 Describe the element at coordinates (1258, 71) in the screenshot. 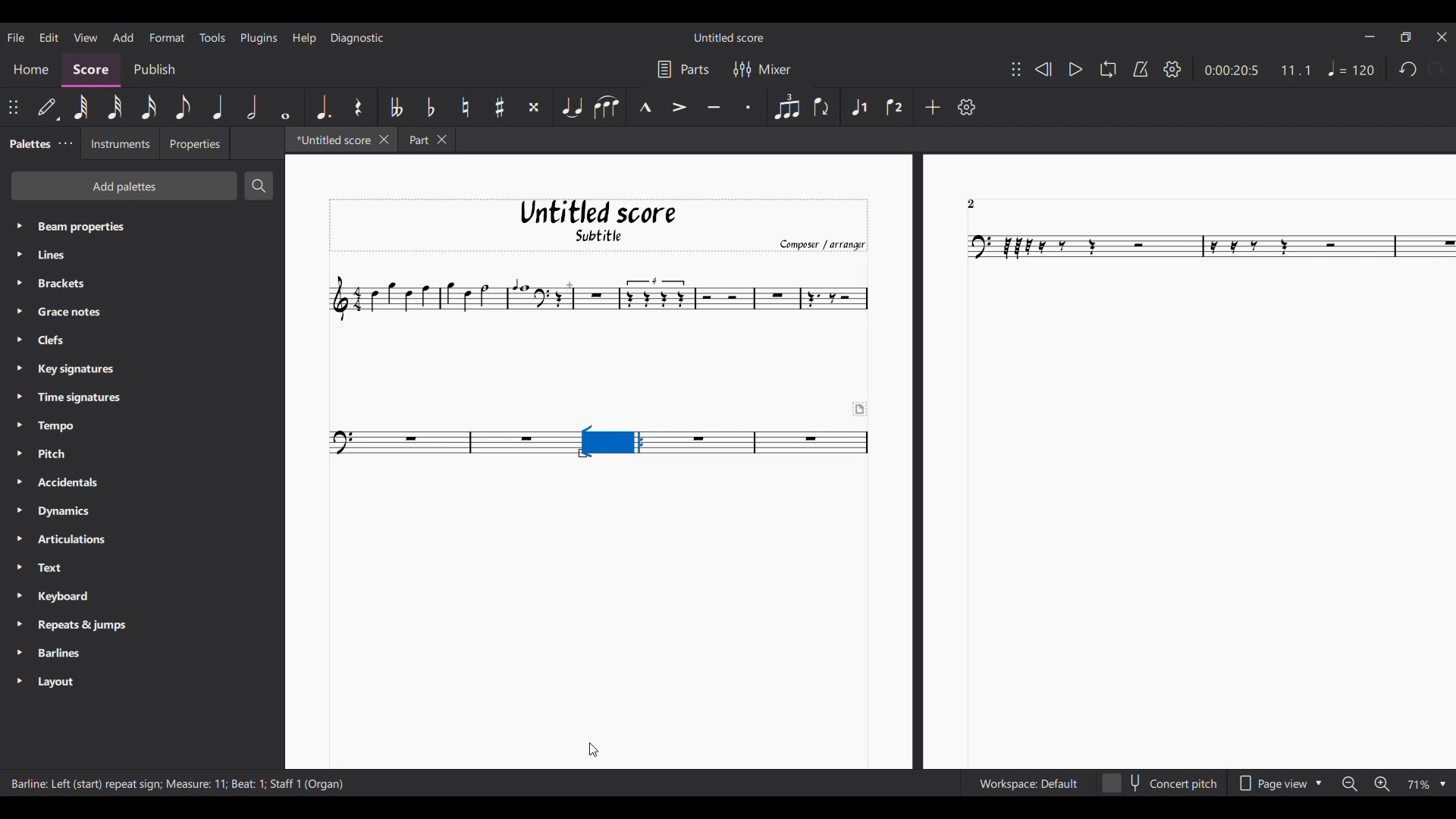

I see `Current duration and ratio` at that location.